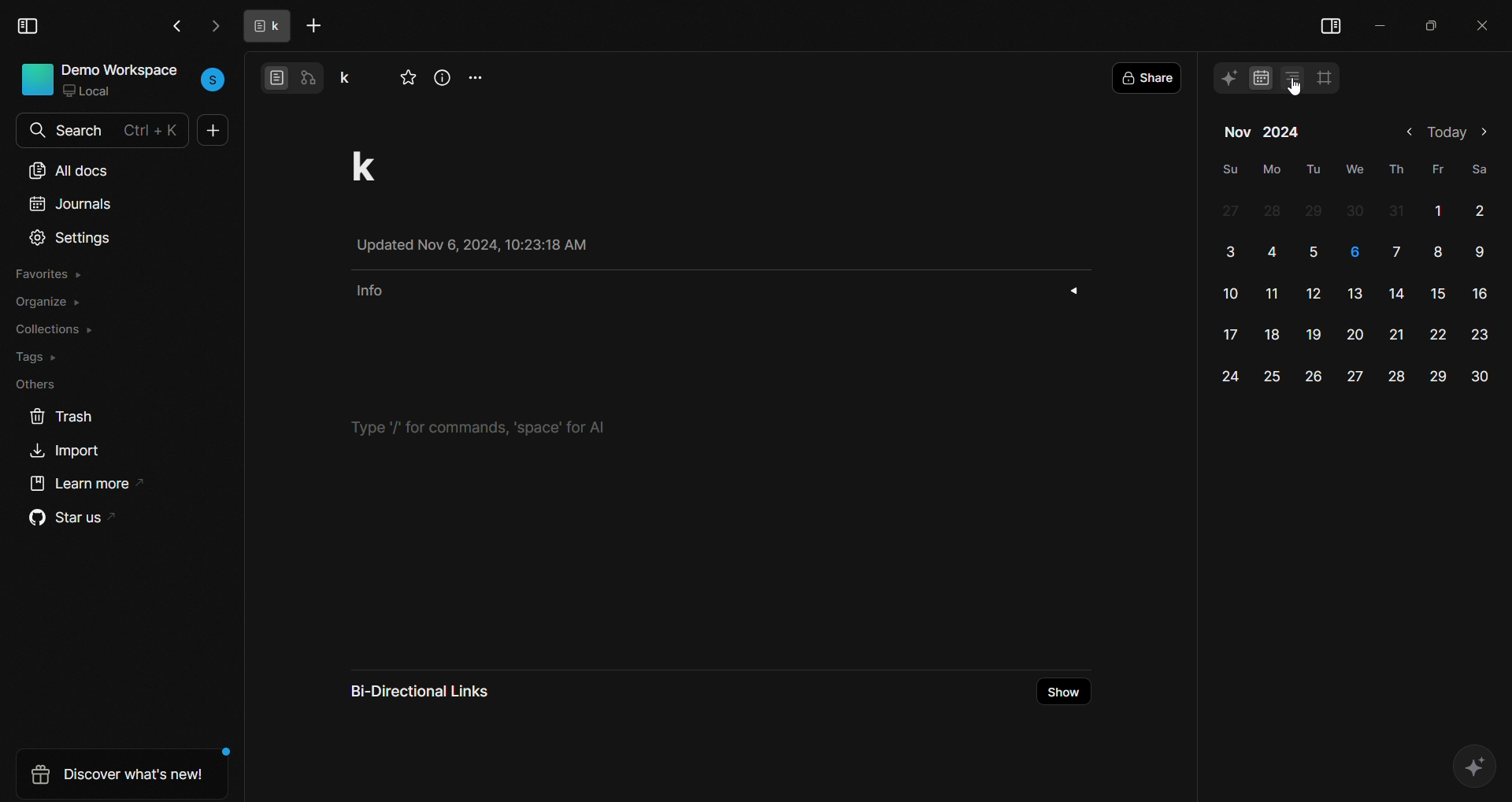 The height and width of the screenshot is (802, 1512). I want to click on search, so click(35, 131).